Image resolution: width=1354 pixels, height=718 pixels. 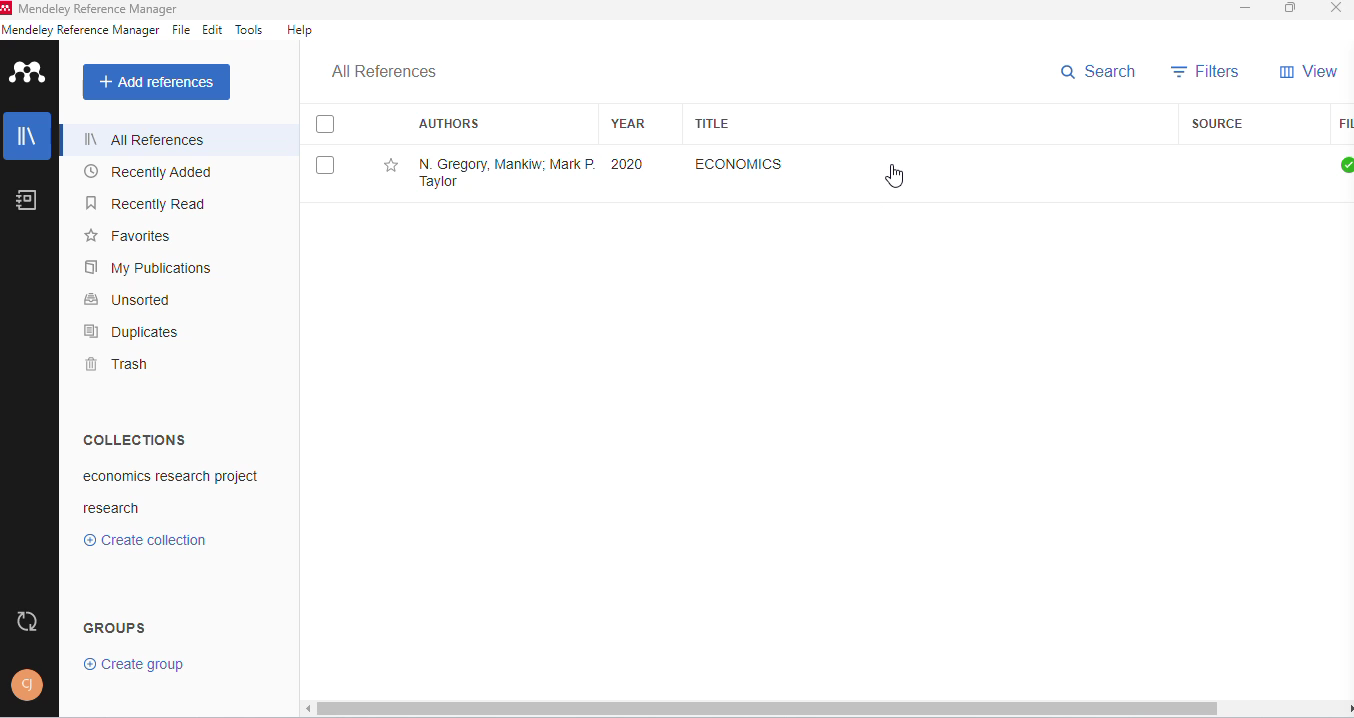 What do you see at coordinates (181, 29) in the screenshot?
I see `file` at bounding box center [181, 29].